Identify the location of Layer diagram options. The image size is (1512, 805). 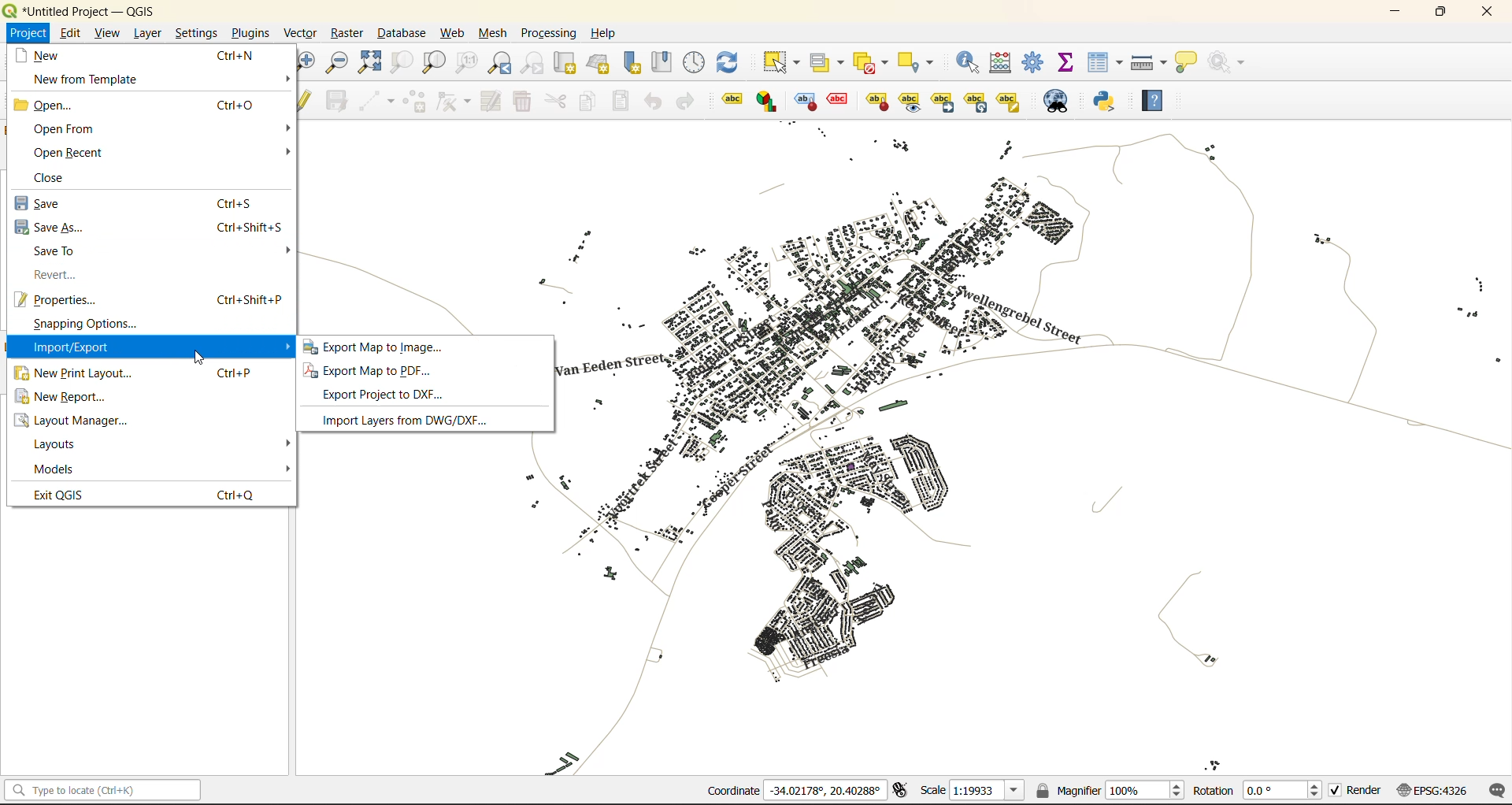
(768, 101).